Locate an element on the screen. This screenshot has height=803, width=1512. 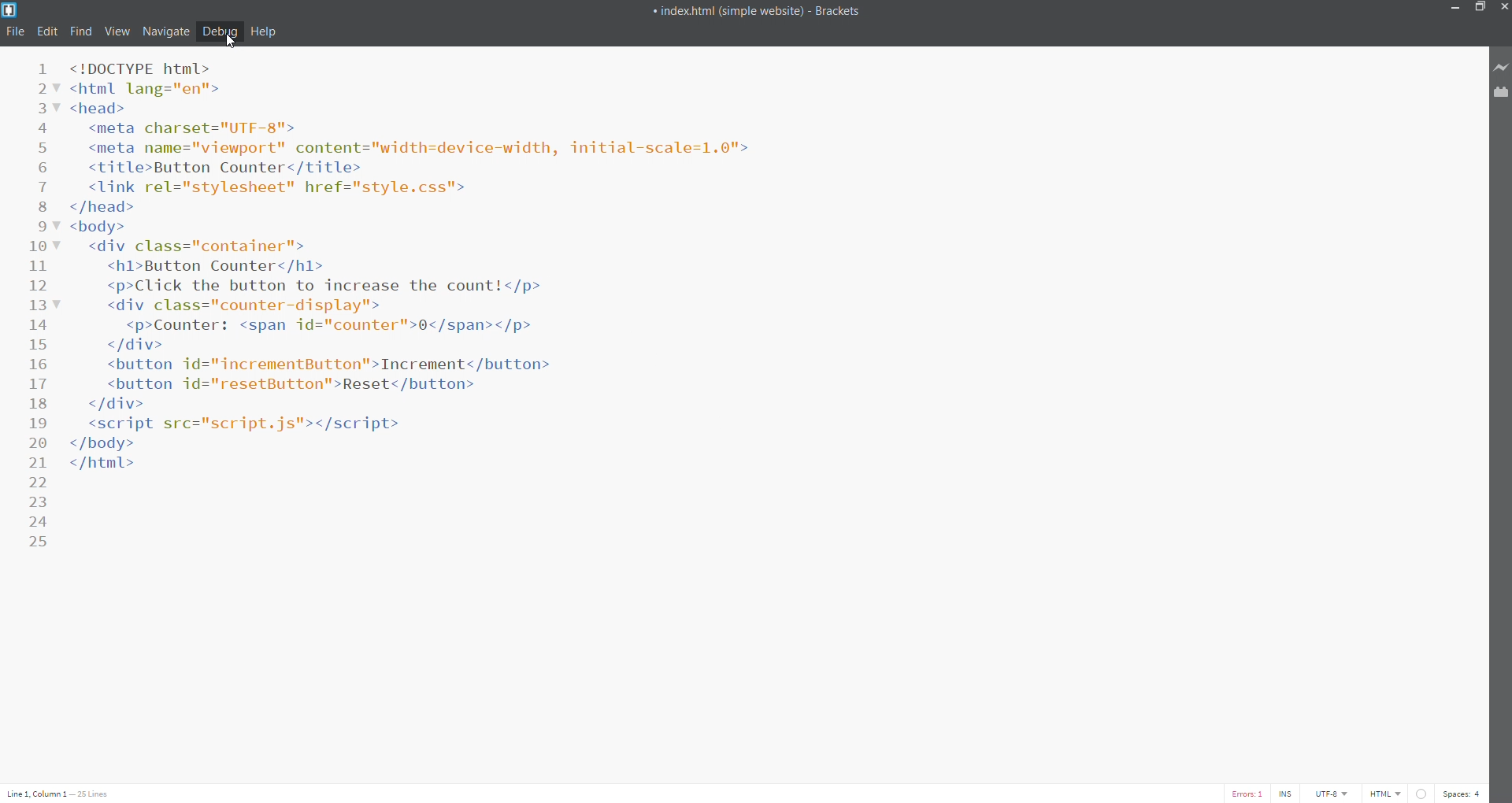
find is located at coordinates (81, 31).